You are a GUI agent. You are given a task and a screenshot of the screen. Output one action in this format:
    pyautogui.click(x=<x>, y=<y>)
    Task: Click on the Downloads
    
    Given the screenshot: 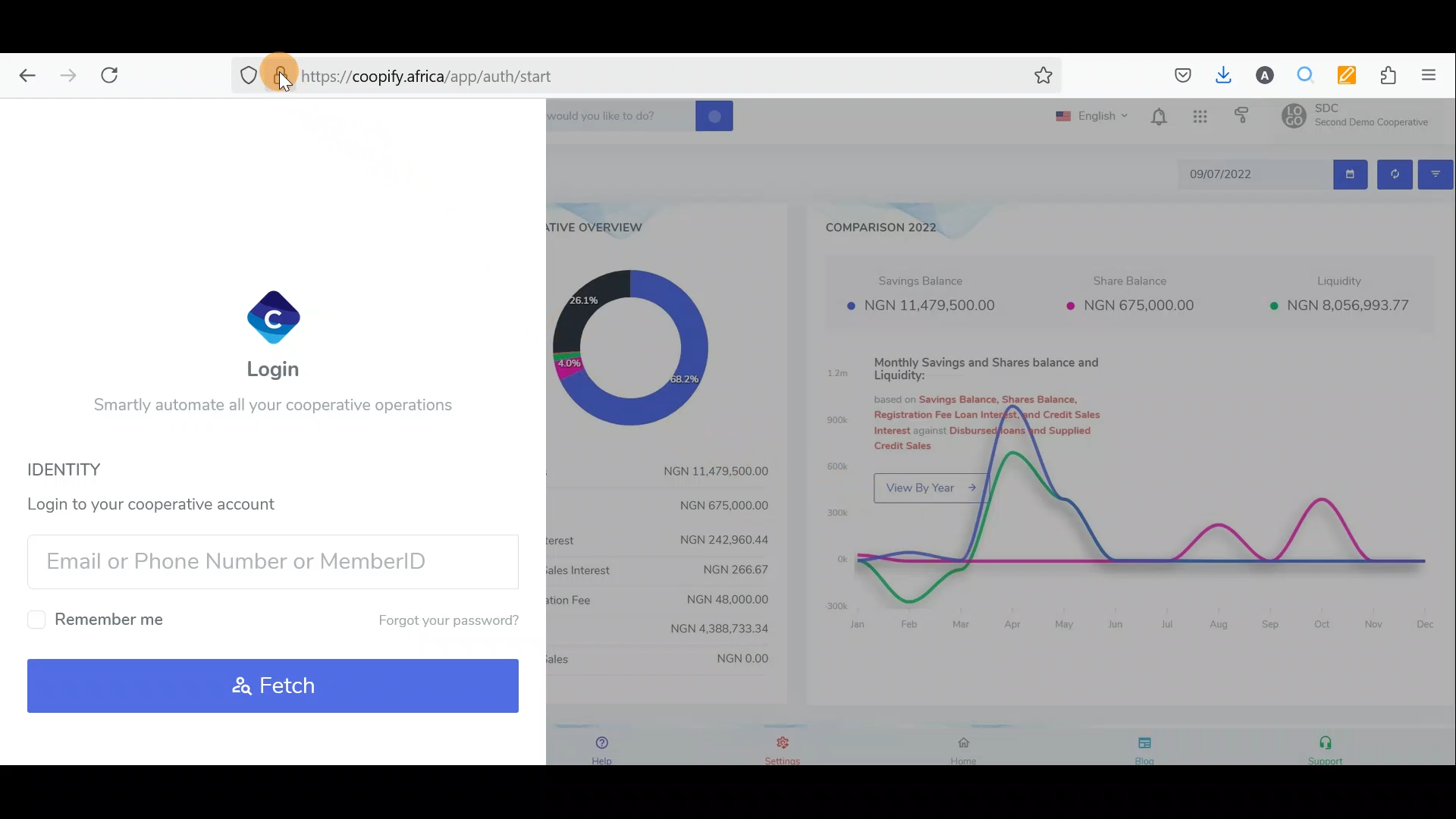 What is the action you would take?
    pyautogui.click(x=1220, y=74)
    